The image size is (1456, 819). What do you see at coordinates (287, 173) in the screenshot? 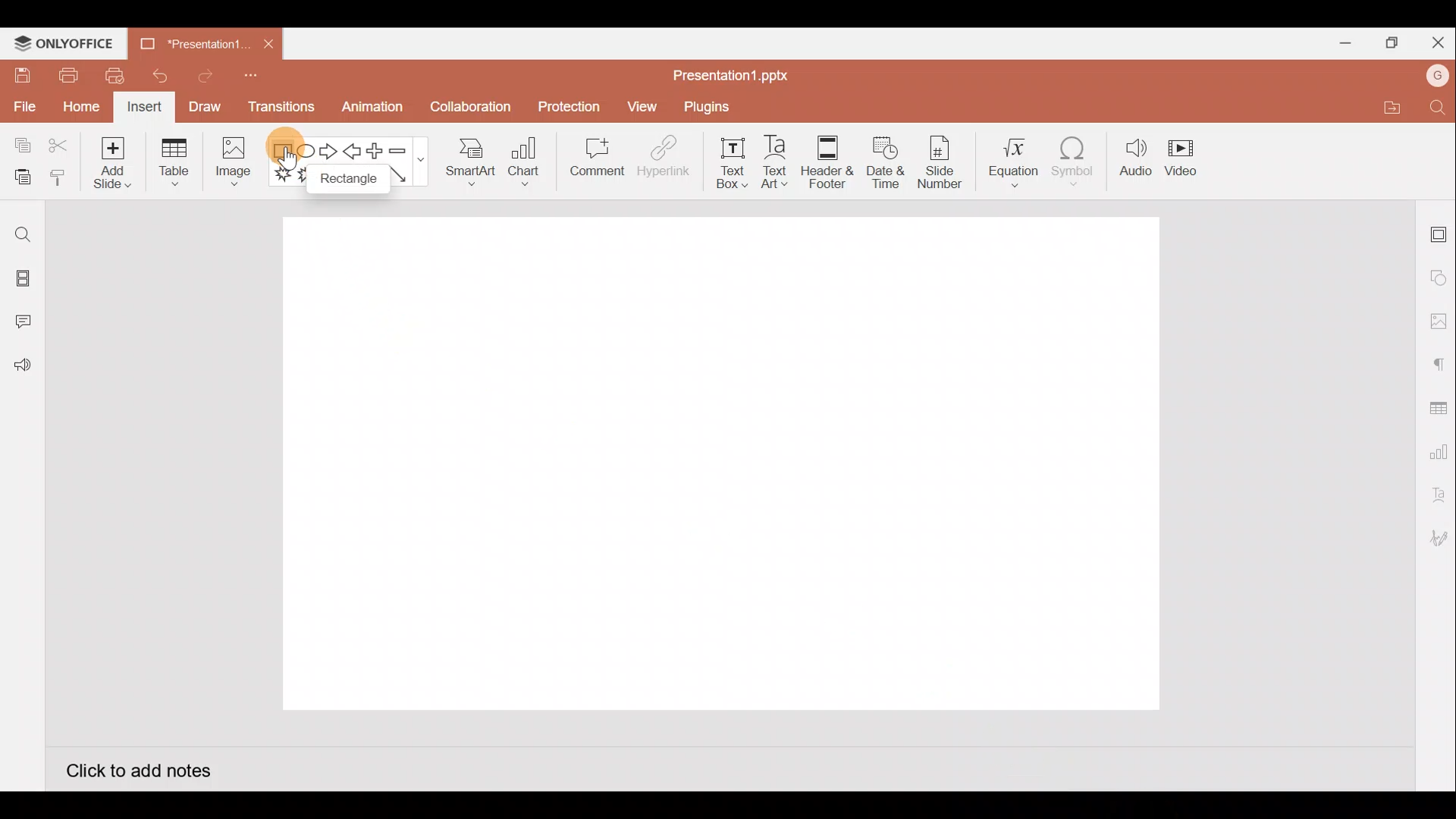
I see `Explosion 1` at bounding box center [287, 173].